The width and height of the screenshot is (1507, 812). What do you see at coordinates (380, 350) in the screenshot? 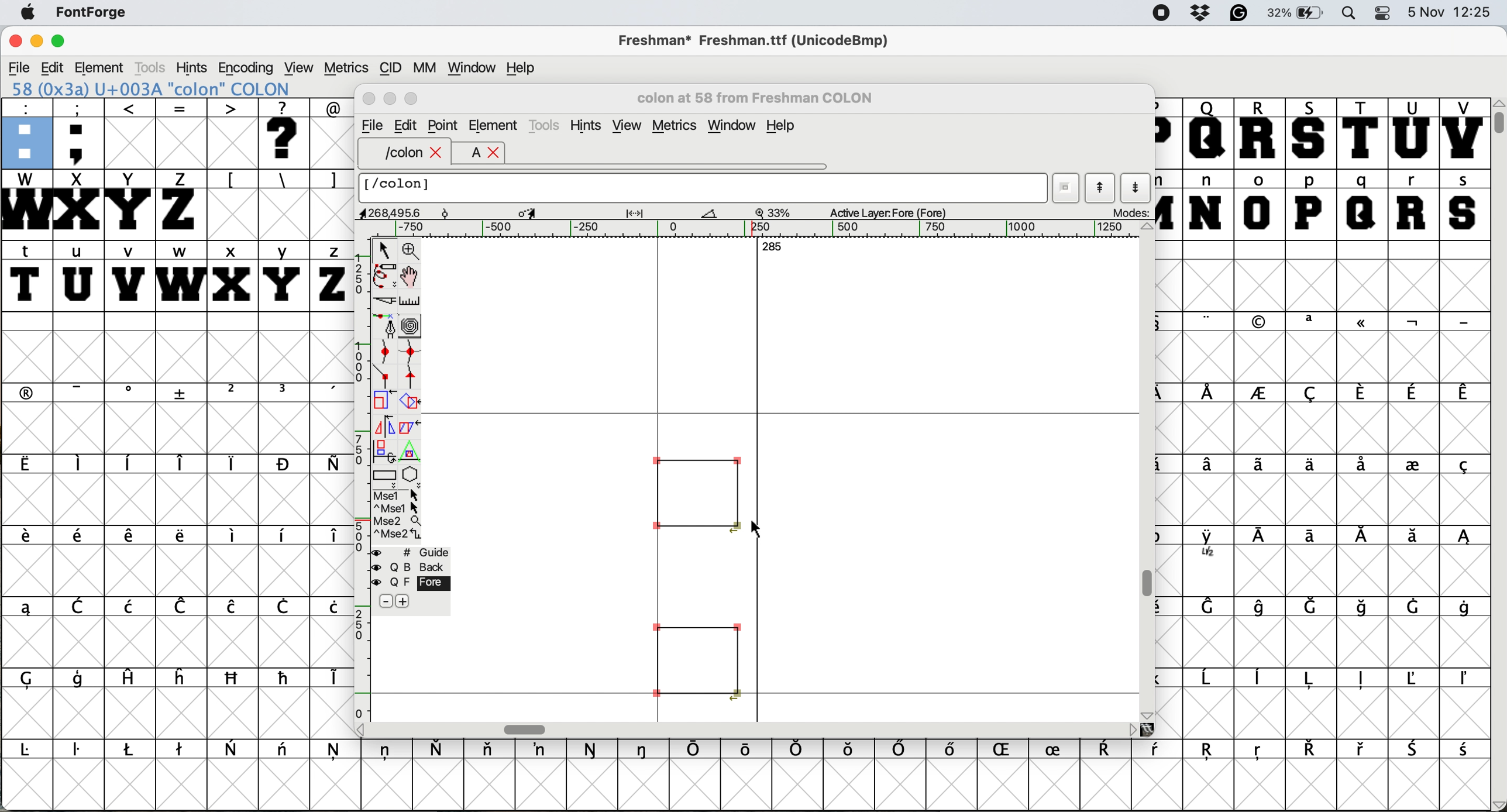
I see `add a curve point` at bounding box center [380, 350].